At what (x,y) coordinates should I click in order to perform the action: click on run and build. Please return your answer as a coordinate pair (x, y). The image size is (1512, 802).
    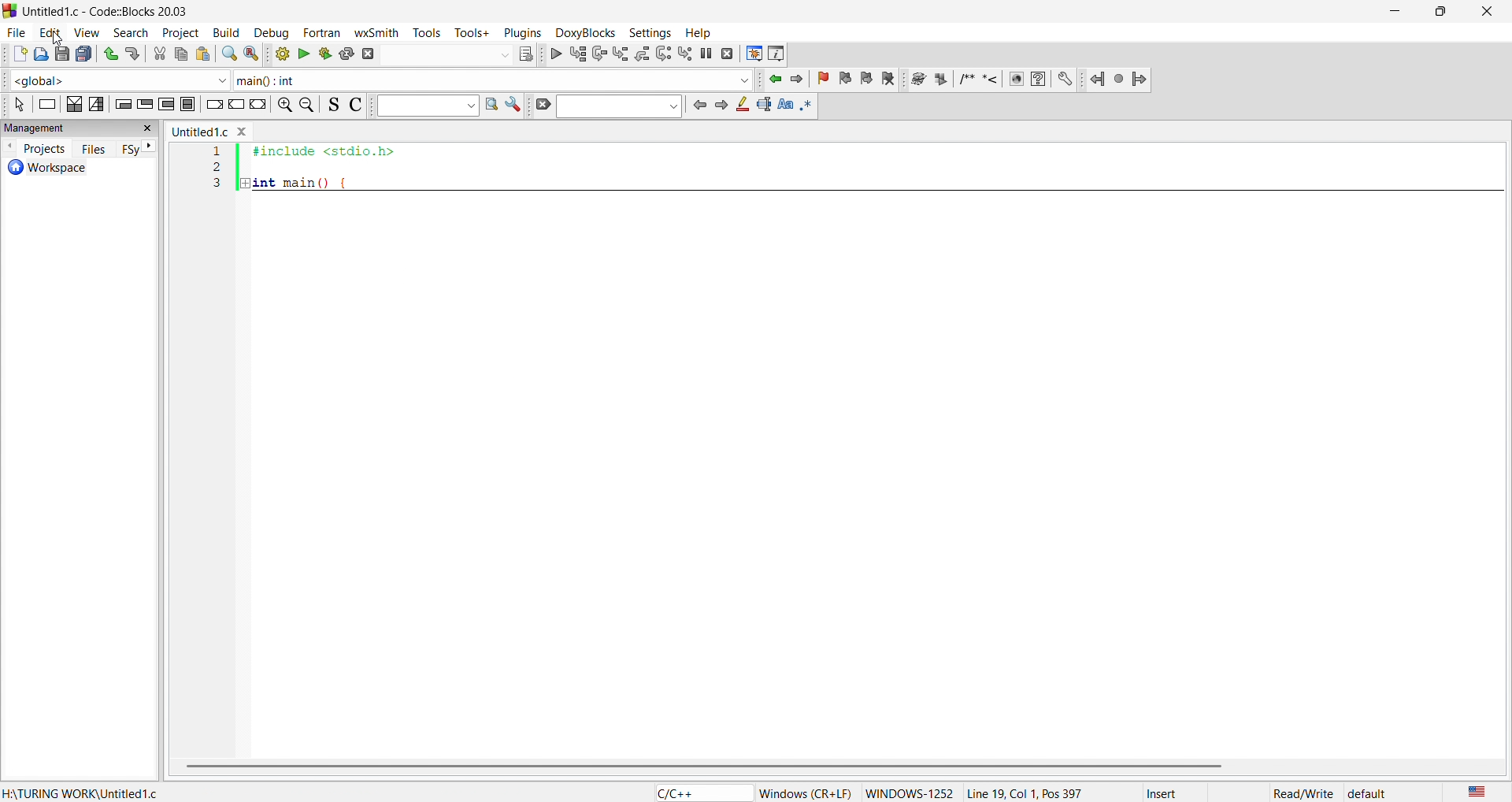
    Looking at the image, I should click on (324, 54).